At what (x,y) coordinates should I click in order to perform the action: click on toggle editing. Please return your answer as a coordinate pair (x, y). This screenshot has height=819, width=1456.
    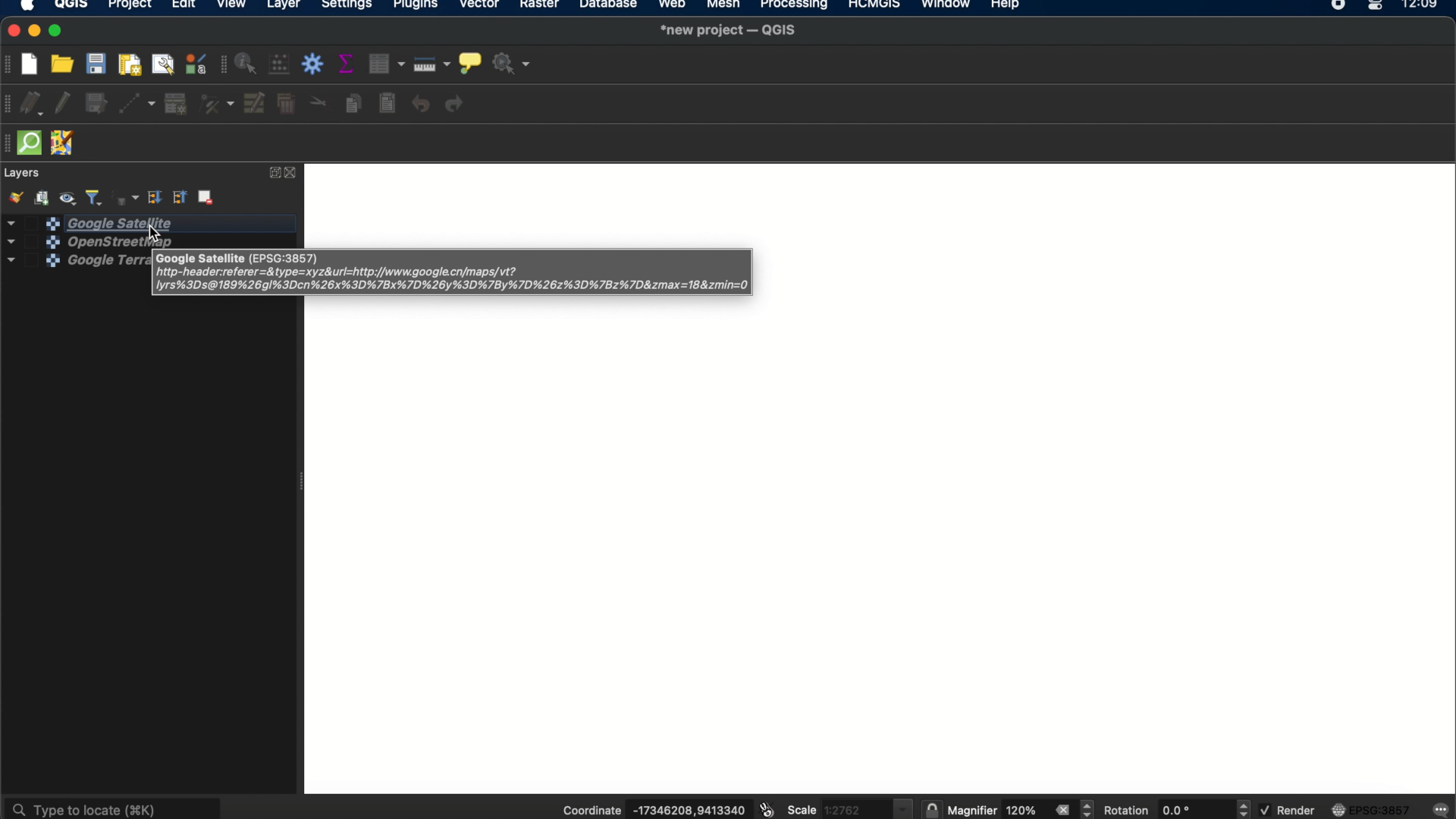
    Looking at the image, I should click on (63, 105).